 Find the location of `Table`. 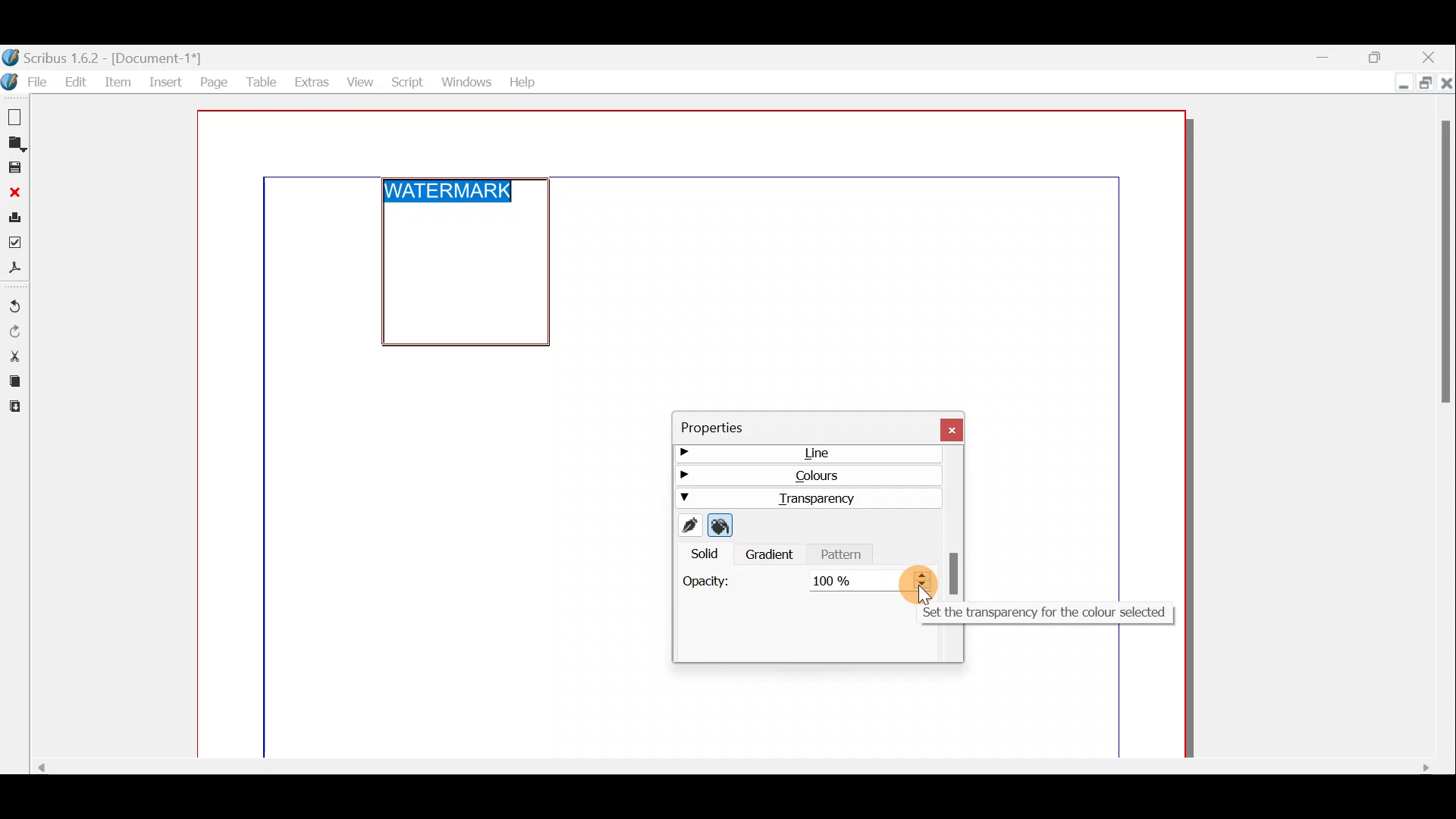

Table is located at coordinates (260, 83).